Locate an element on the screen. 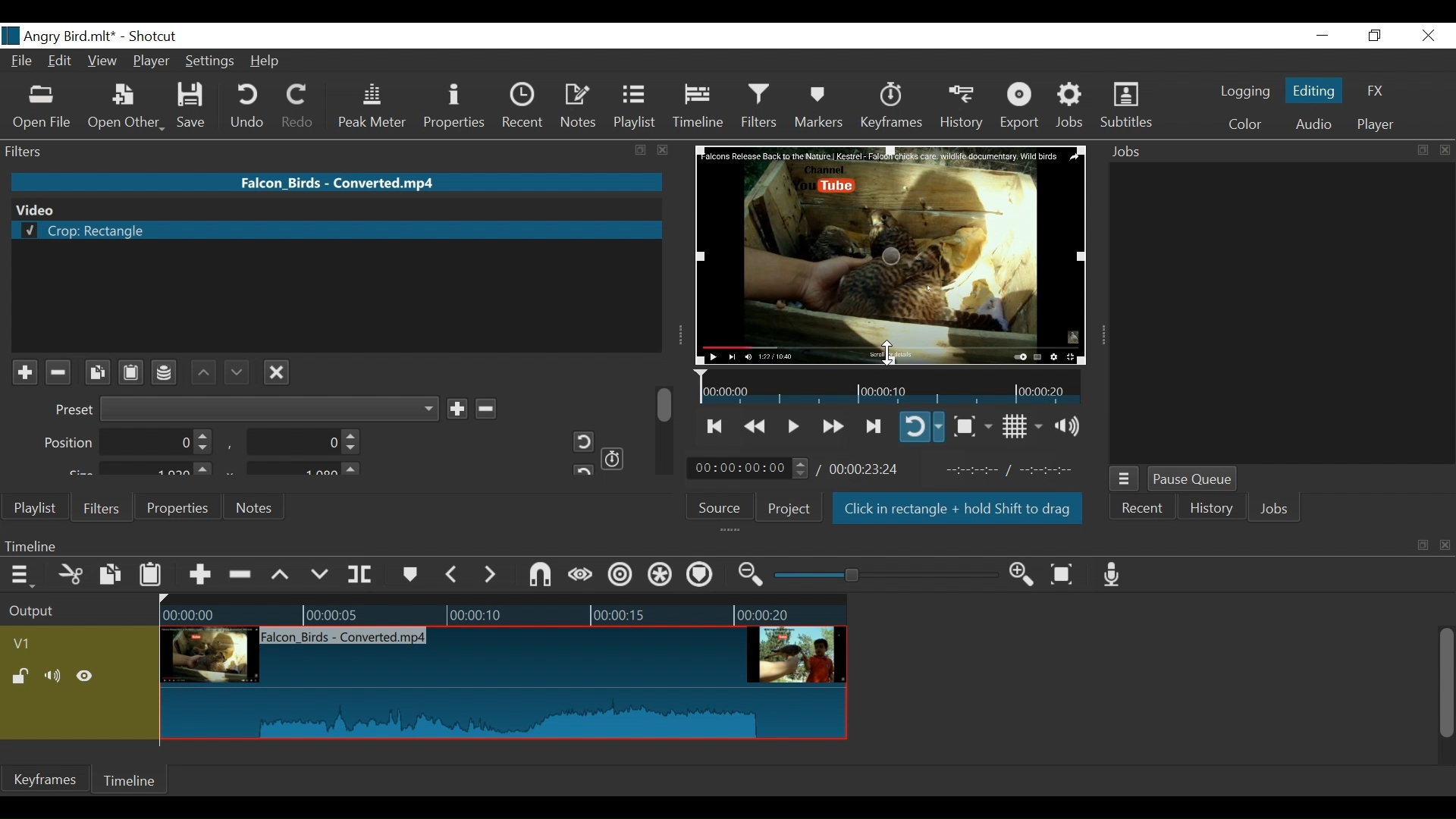 The width and height of the screenshot is (1456, 819). Playlist is located at coordinates (36, 508).